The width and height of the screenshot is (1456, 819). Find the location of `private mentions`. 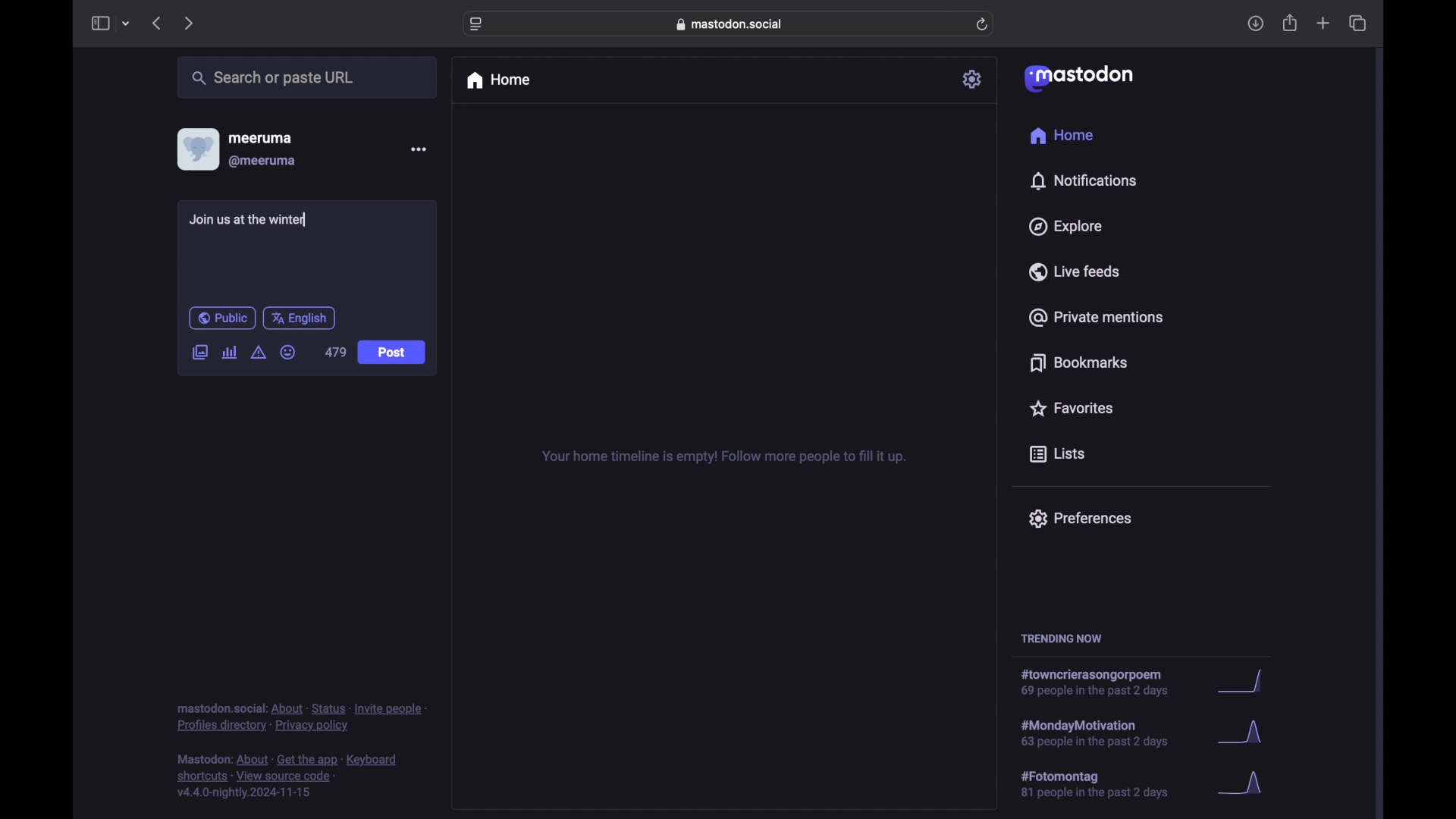

private mentions is located at coordinates (1097, 317).